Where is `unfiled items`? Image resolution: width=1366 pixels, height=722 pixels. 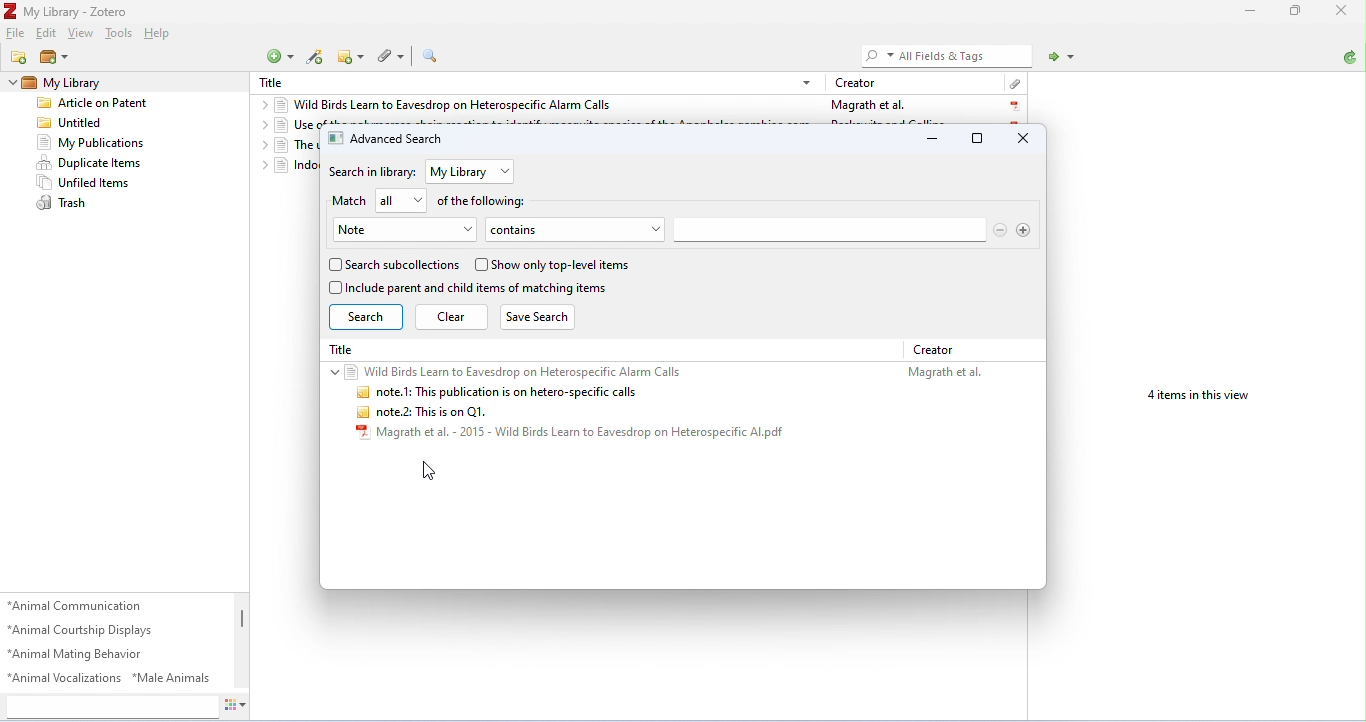
unfiled items is located at coordinates (83, 182).